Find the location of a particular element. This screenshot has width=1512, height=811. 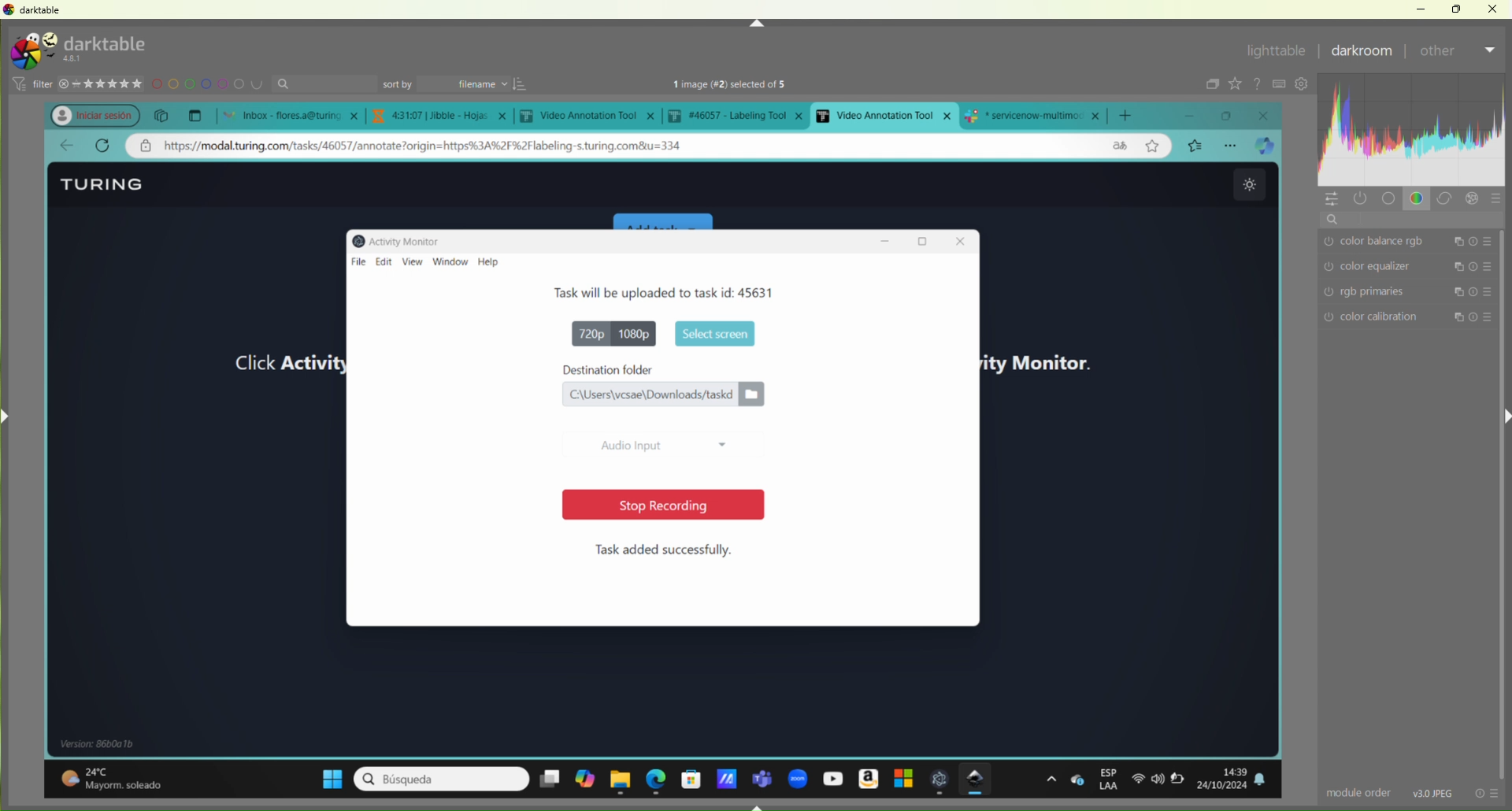

Restore Down is located at coordinates (1457, 9).